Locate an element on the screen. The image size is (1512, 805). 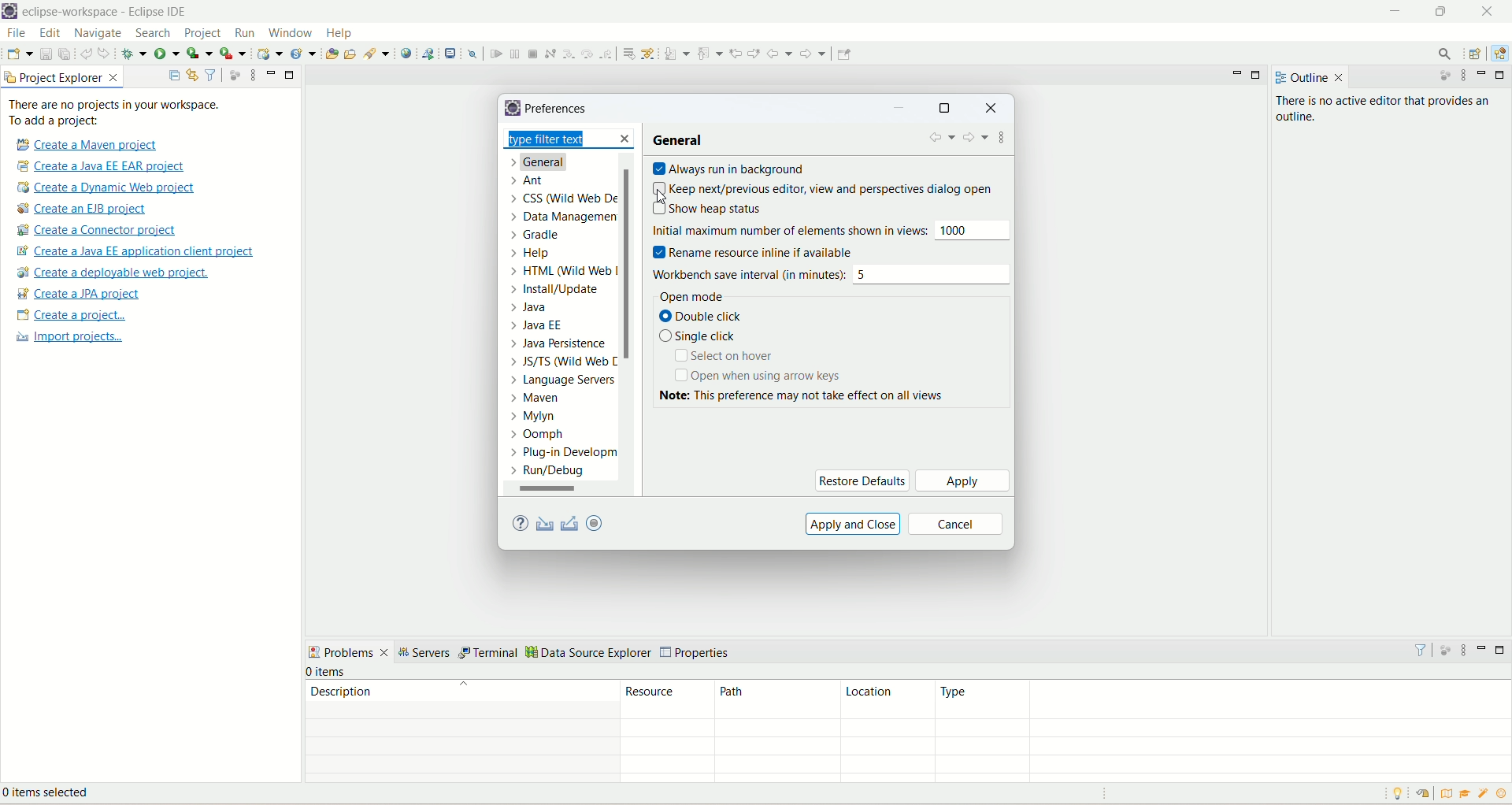
show heap status is located at coordinates (710, 210).